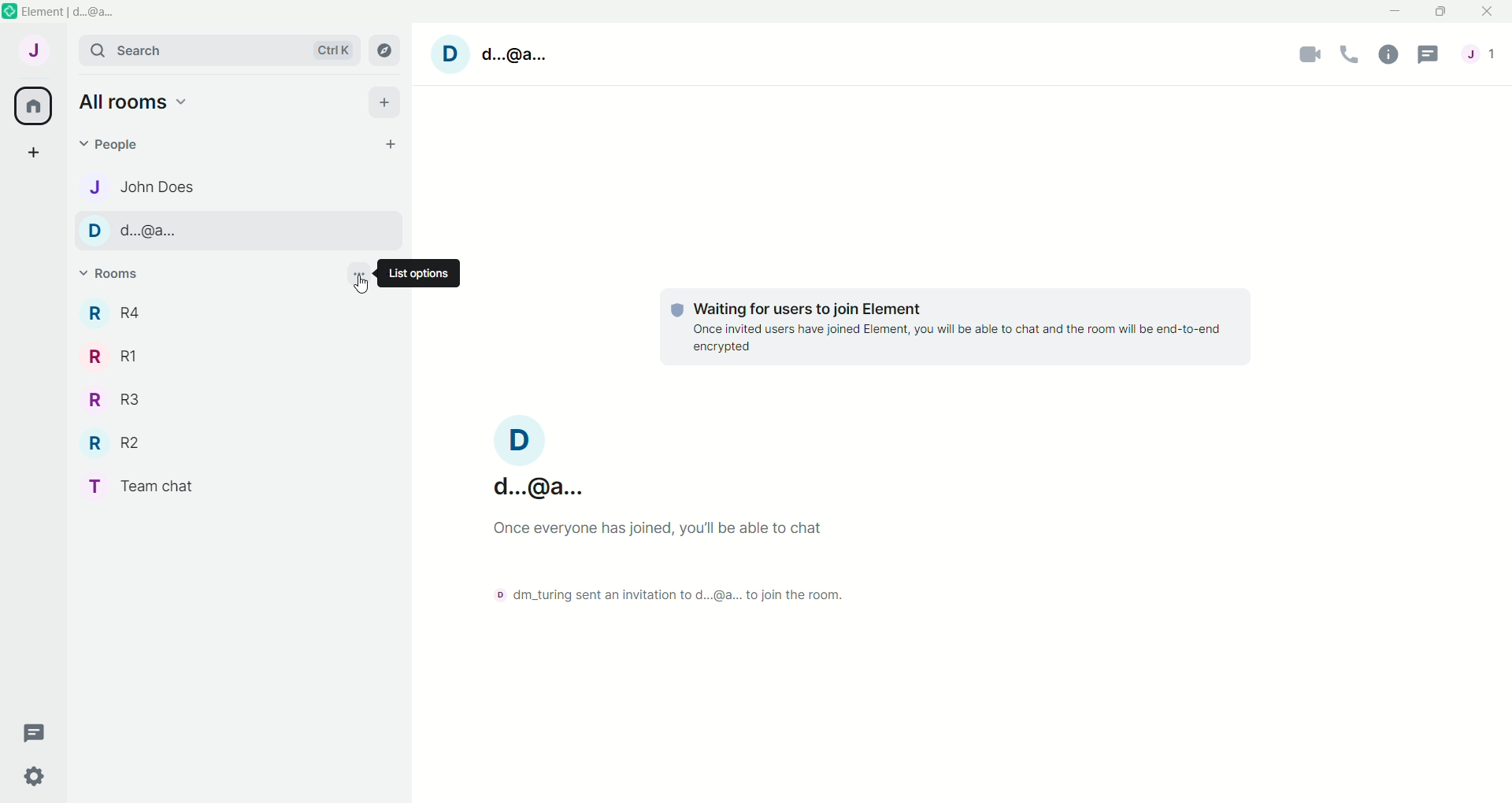 The image size is (1512, 803). Describe the element at coordinates (391, 143) in the screenshot. I see `Start chat` at that location.